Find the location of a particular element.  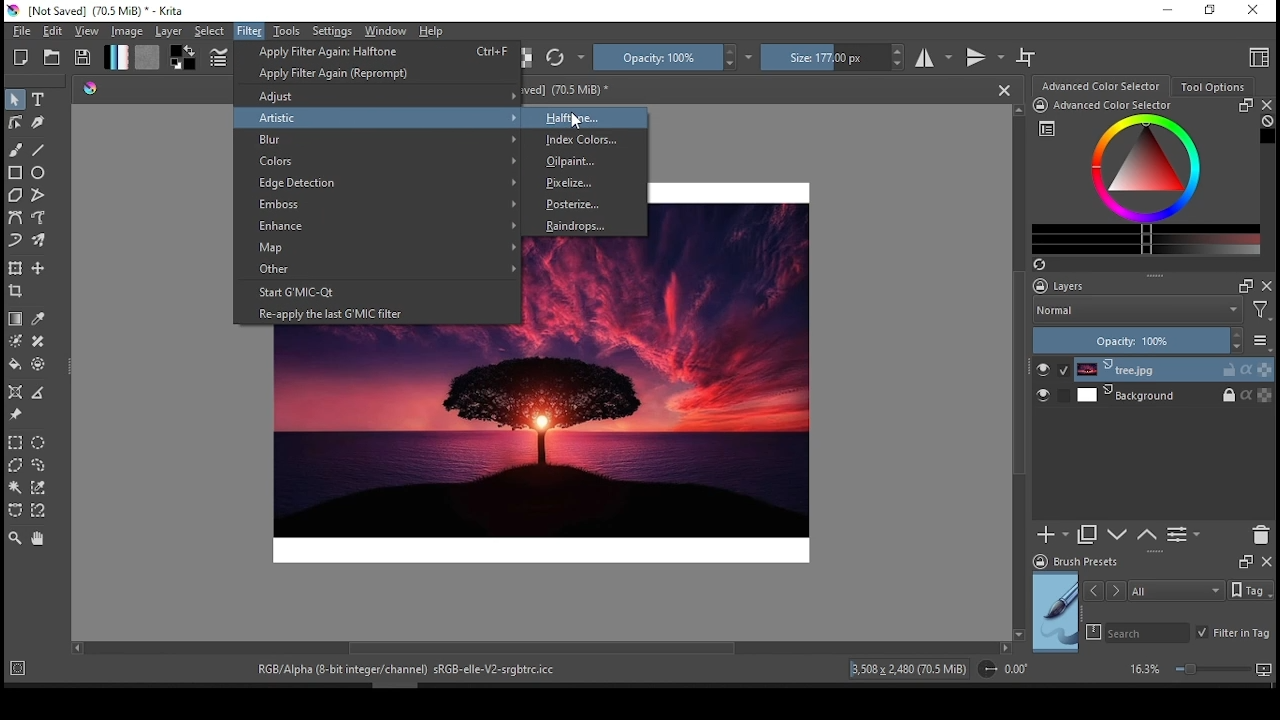

image is located at coordinates (668, 279).